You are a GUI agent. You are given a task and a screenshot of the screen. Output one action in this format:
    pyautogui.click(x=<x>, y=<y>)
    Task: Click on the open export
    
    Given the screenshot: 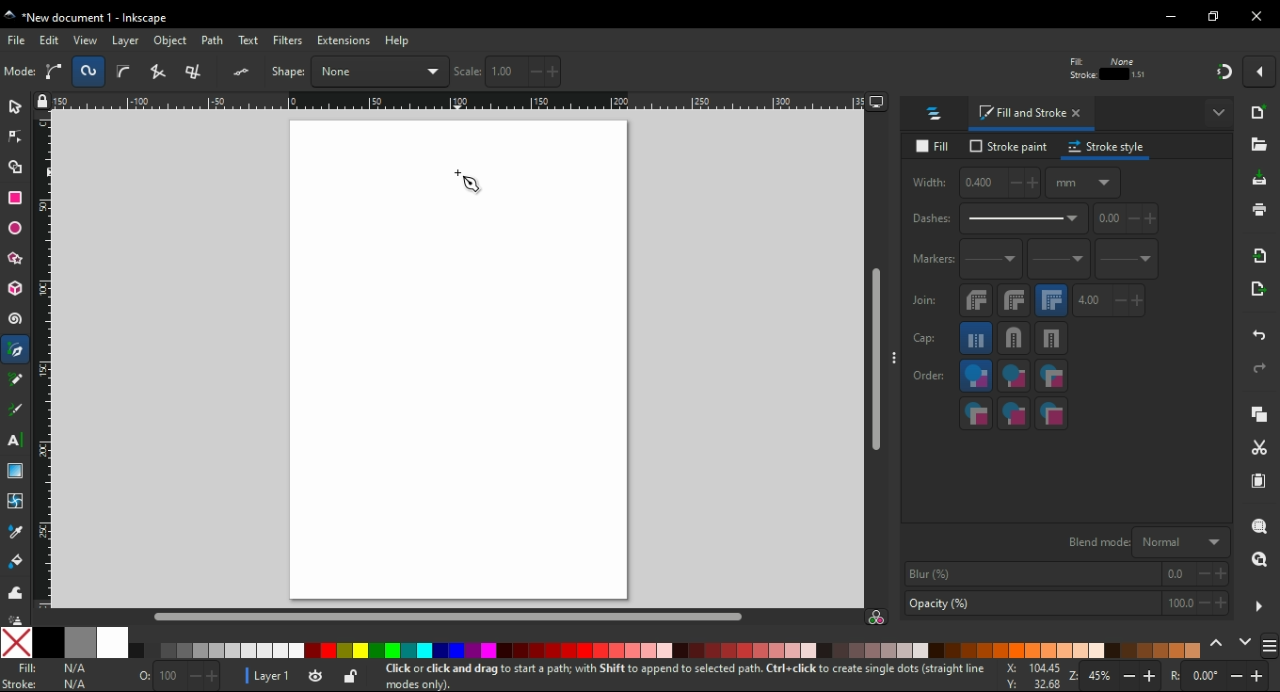 What is the action you would take?
    pyautogui.click(x=1256, y=294)
    